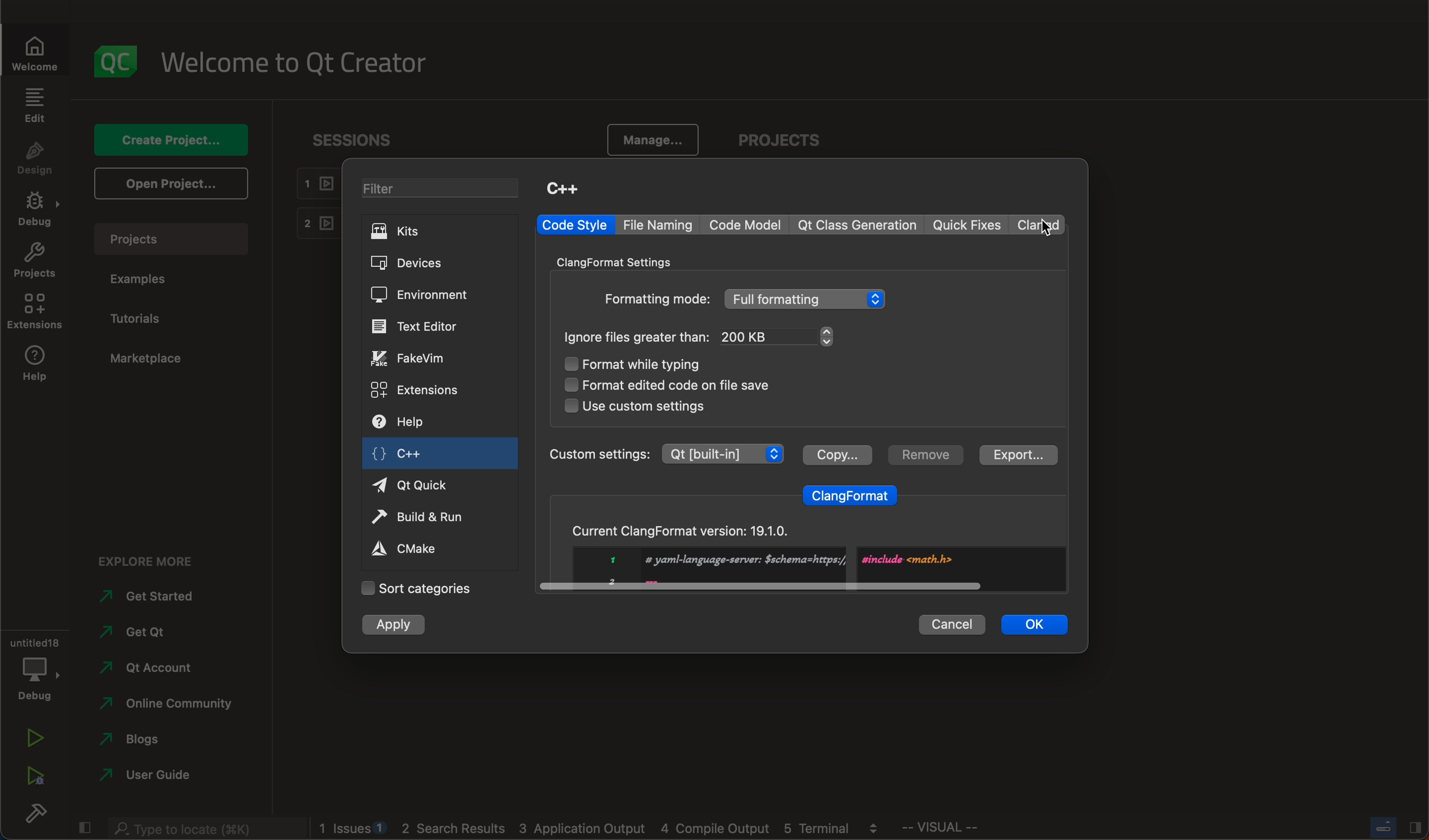 This screenshot has height=840, width=1429. What do you see at coordinates (85, 828) in the screenshot?
I see `close slide bar` at bounding box center [85, 828].